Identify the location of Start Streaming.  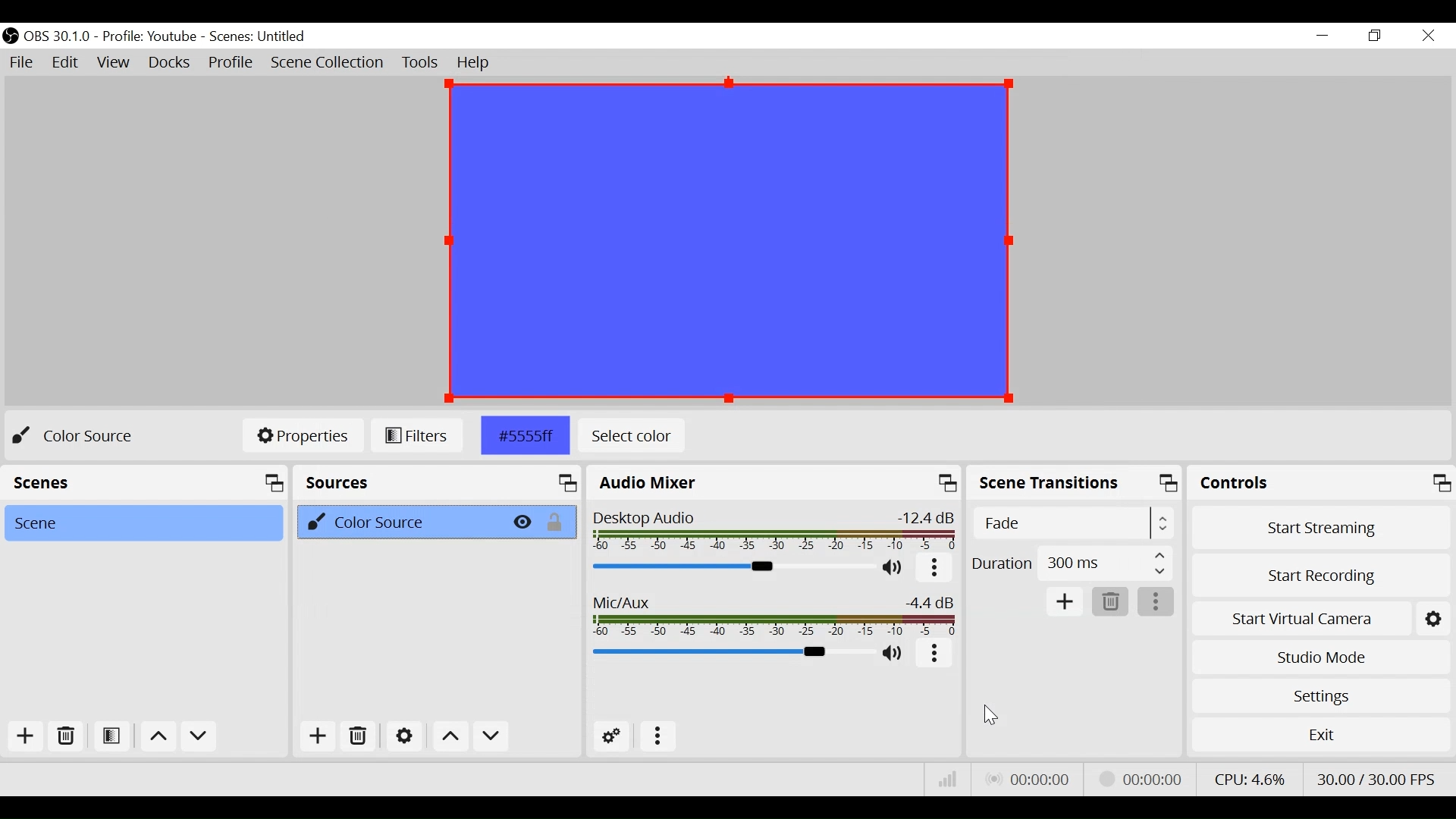
(1321, 531).